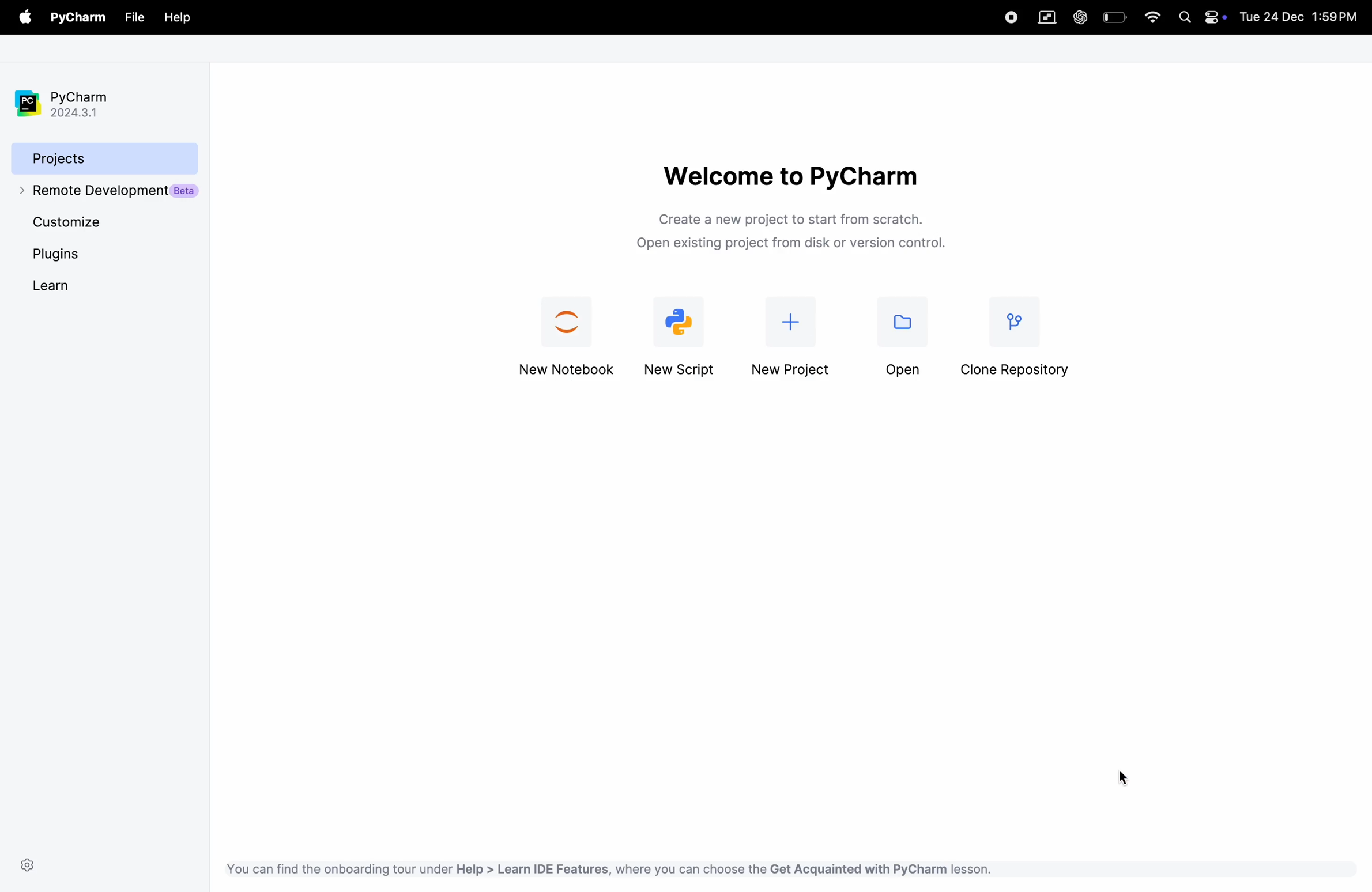 The image size is (1372, 892). Describe the element at coordinates (104, 195) in the screenshot. I see `remote development` at that location.